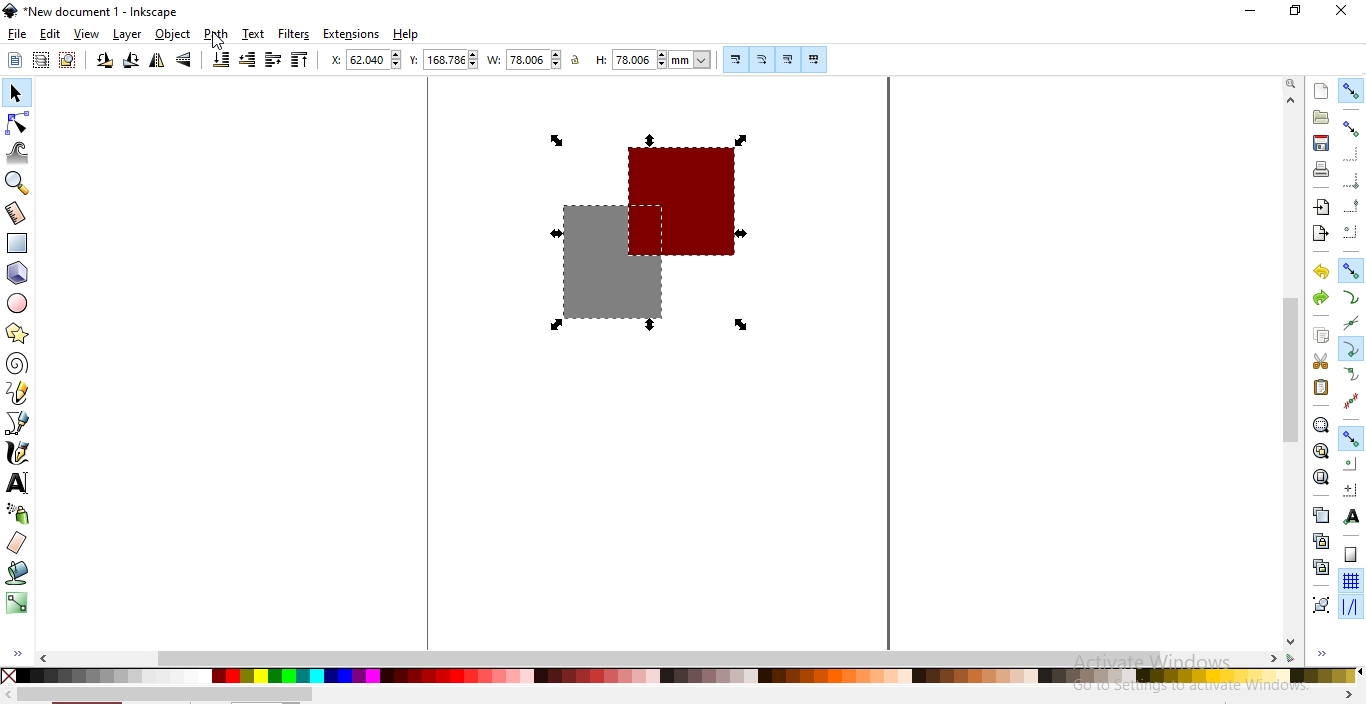  What do you see at coordinates (1351, 463) in the screenshot?
I see `snap centers of objects` at bounding box center [1351, 463].